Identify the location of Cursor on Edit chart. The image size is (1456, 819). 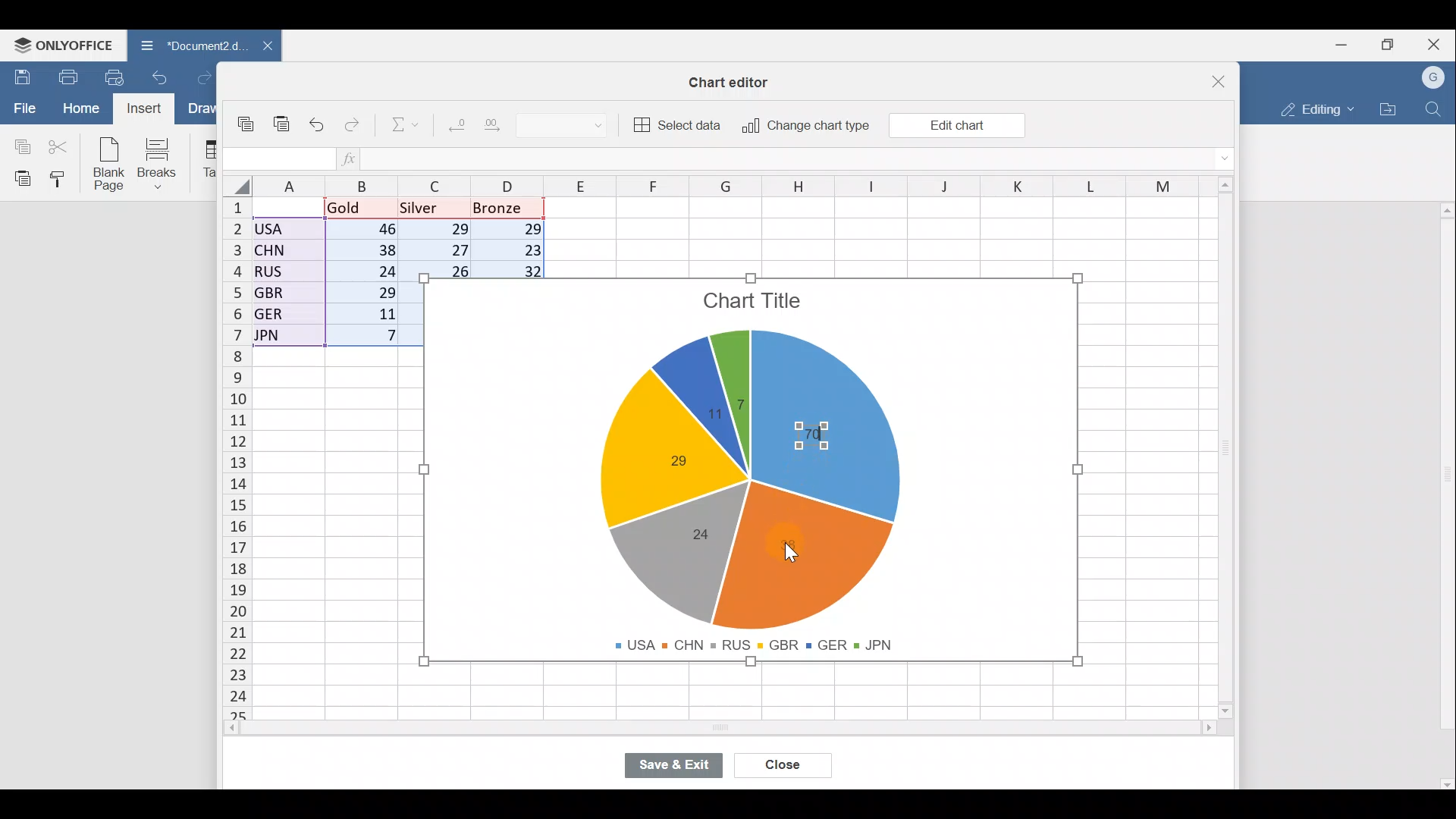
(965, 127).